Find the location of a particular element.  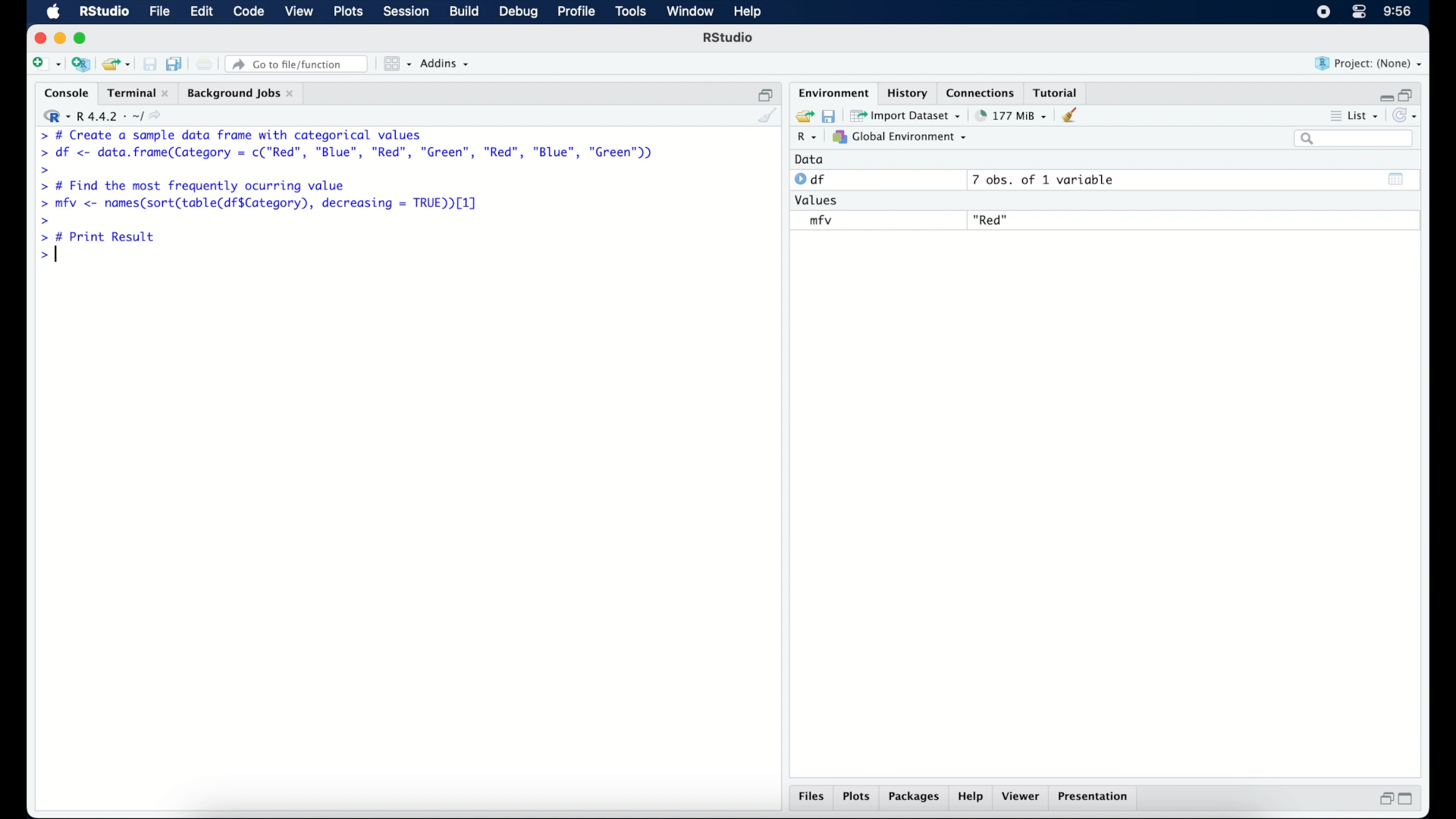

workspace panes is located at coordinates (397, 64).